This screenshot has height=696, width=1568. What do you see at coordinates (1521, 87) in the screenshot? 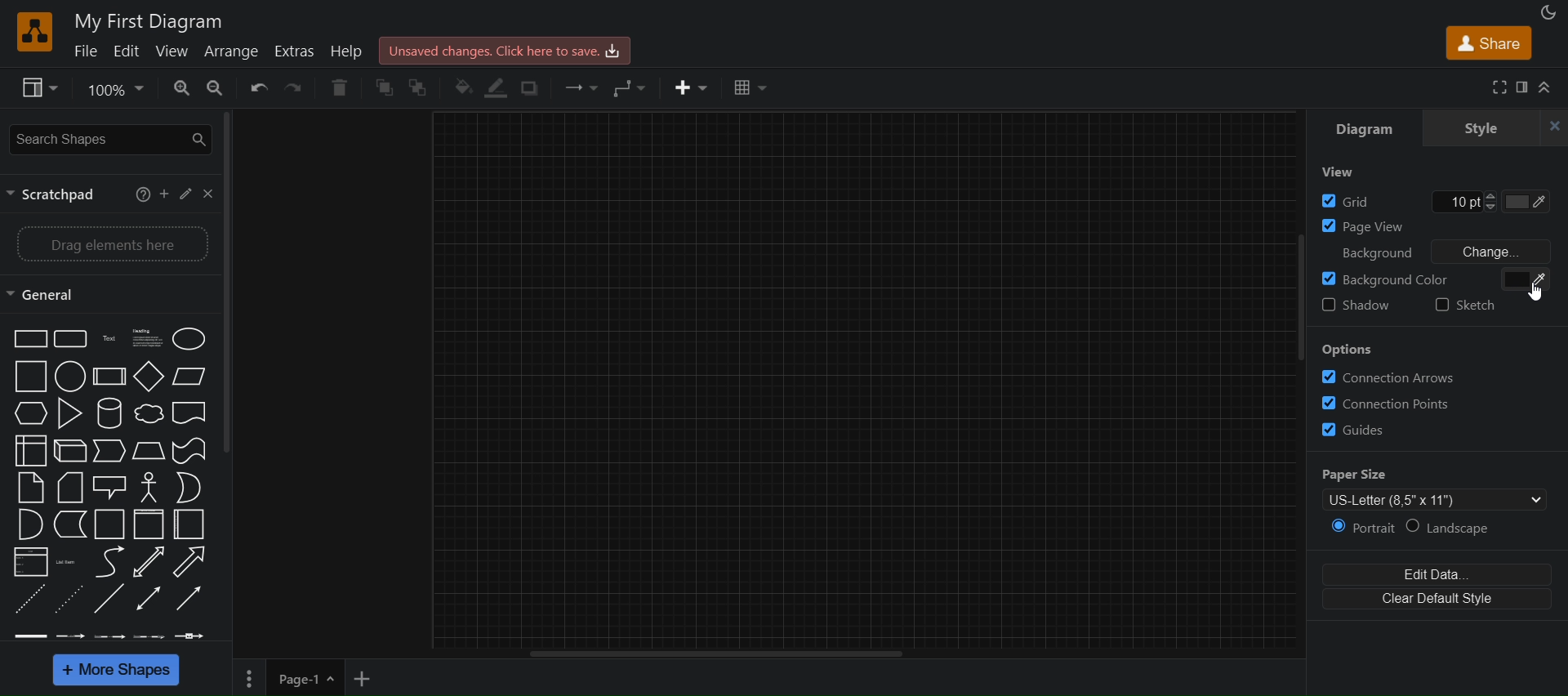
I see `format` at bounding box center [1521, 87].